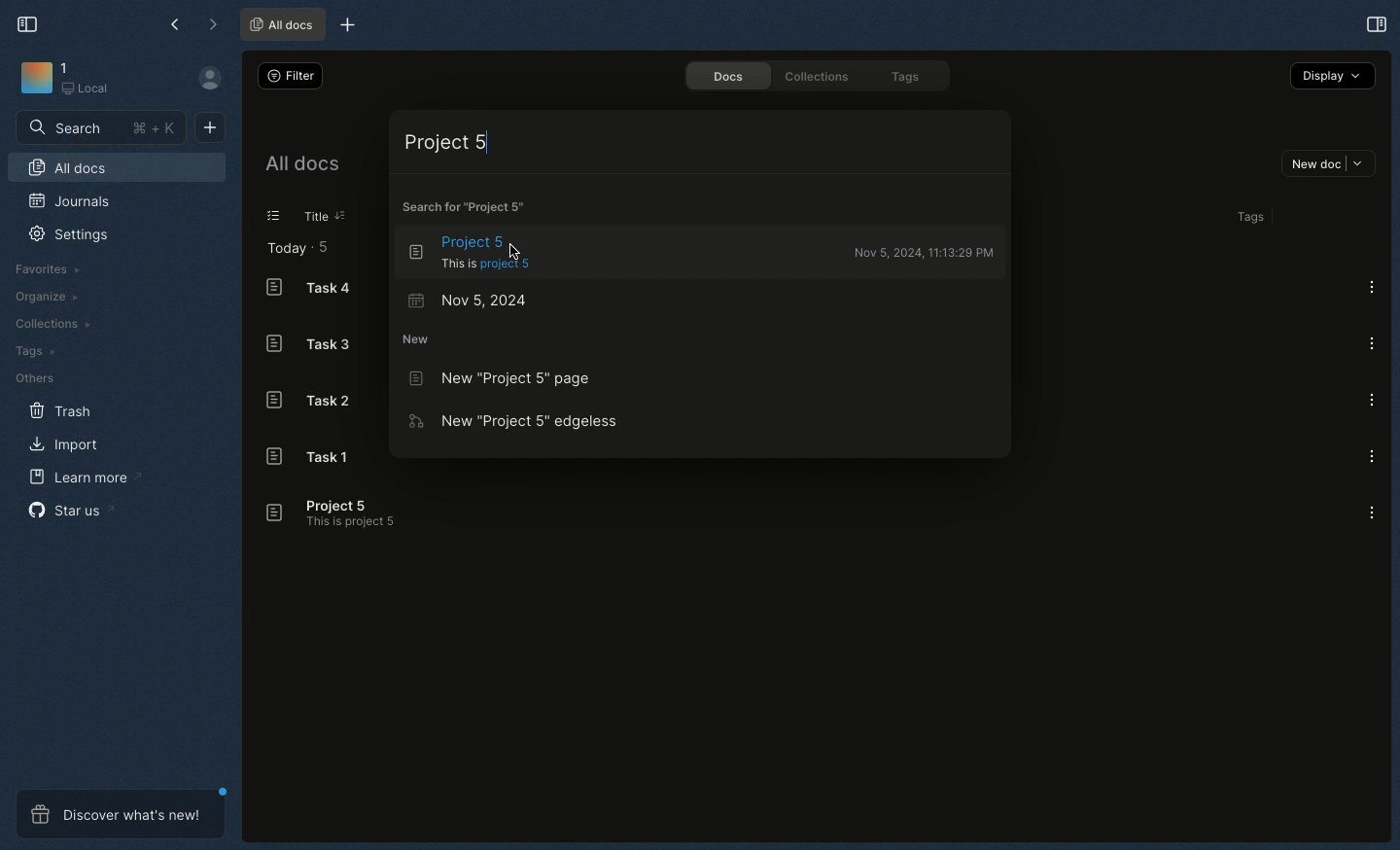 The height and width of the screenshot is (850, 1400). What do you see at coordinates (64, 443) in the screenshot?
I see `Import` at bounding box center [64, 443].